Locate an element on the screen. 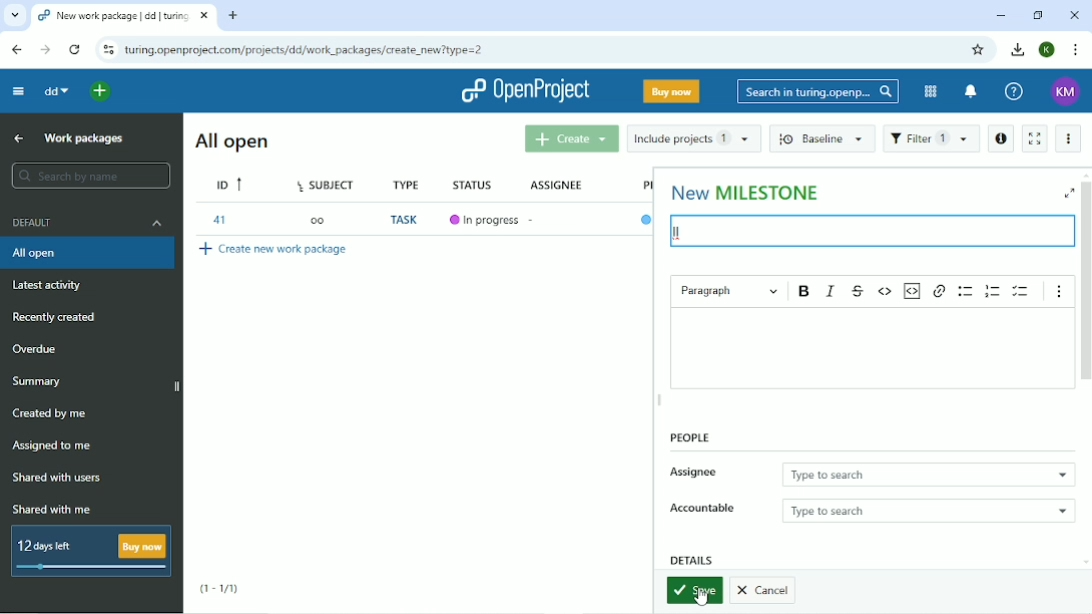 The height and width of the screenshot is (614, 1092). To-do list is located at coordinates (1022, 291).